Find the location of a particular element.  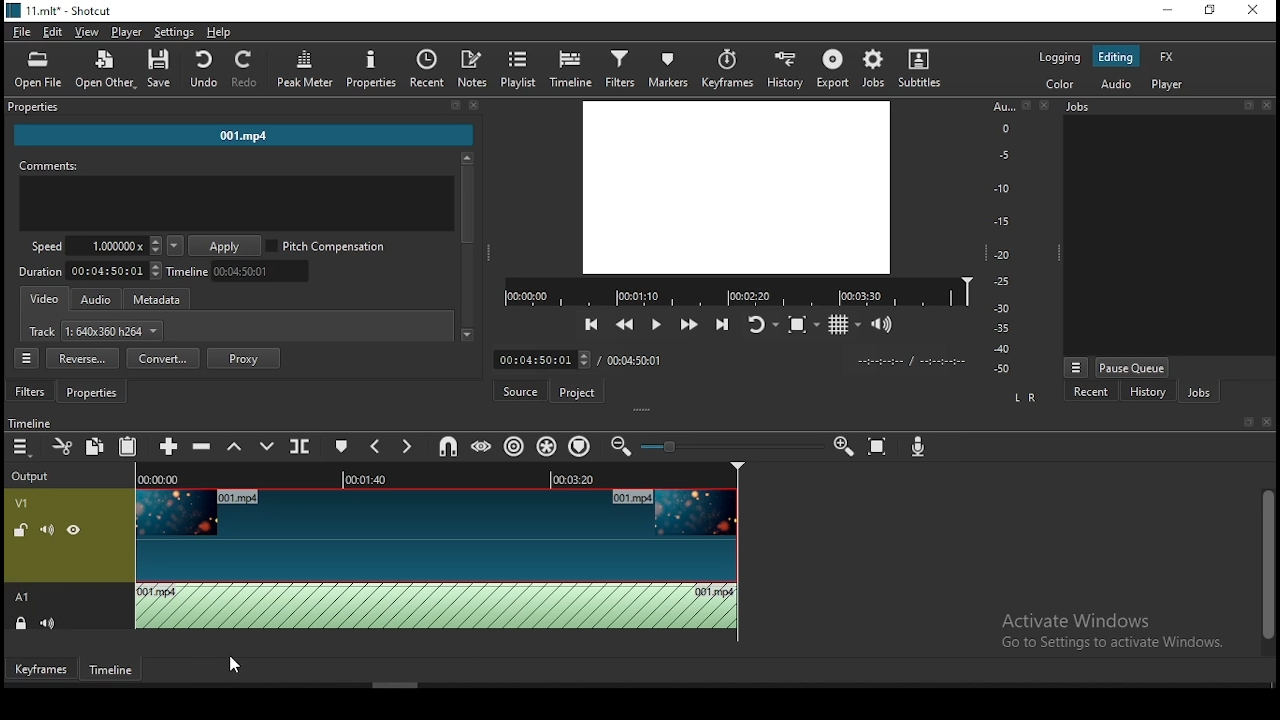

skip to the next point is located at coordinates (723, 324).